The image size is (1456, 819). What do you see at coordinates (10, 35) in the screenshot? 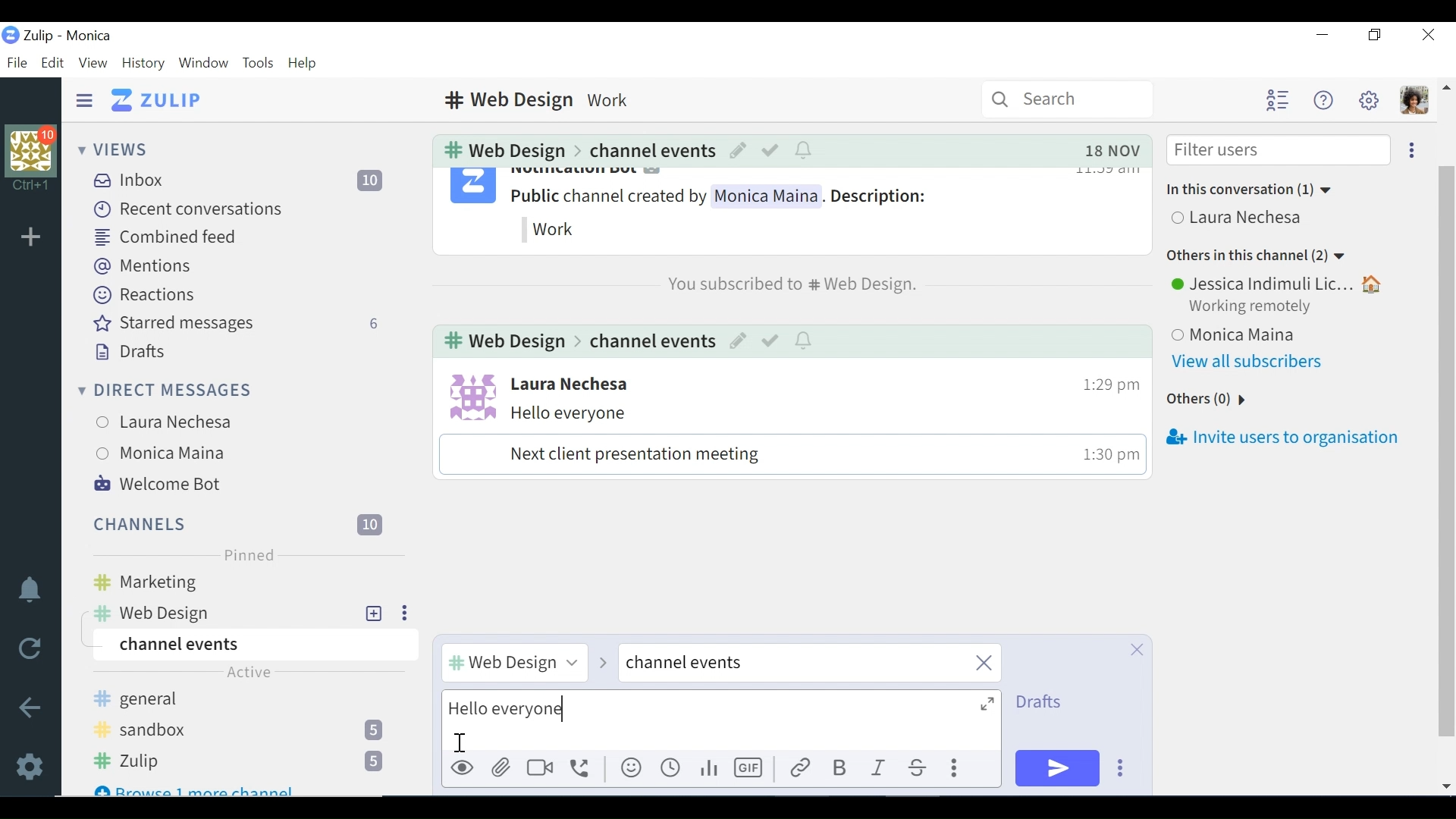
I see `Zulip logo` at bounding box center [10, 35].